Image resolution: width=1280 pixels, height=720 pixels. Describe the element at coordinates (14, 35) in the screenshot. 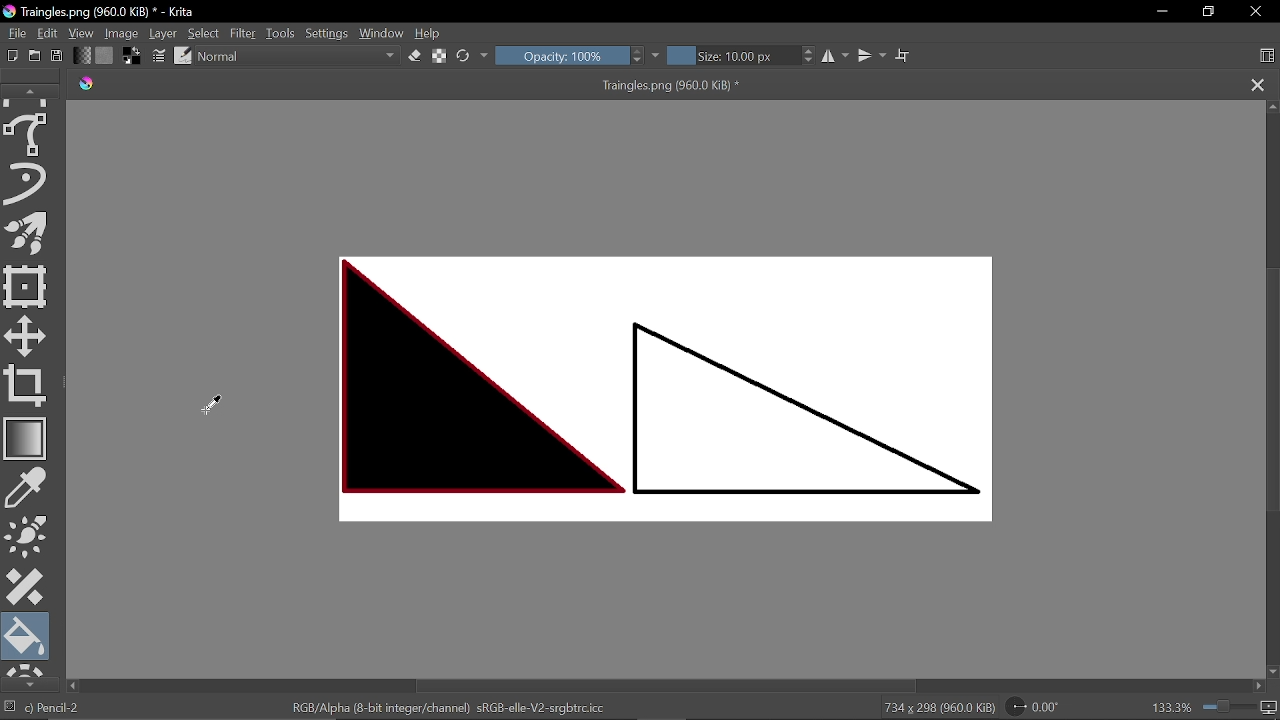

I see `File` at that location.